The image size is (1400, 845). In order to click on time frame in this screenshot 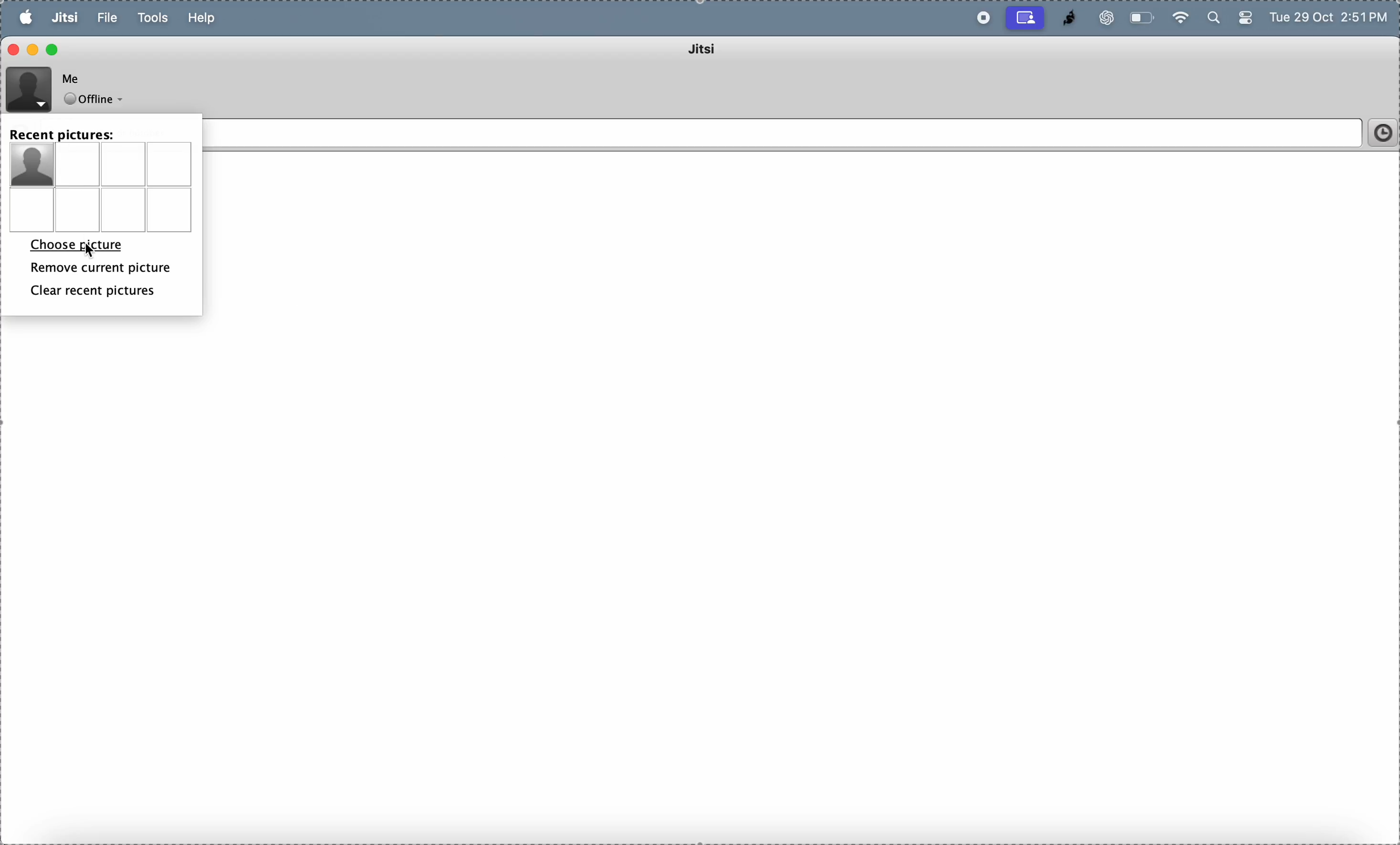, I will do `click(1378, 133)`.